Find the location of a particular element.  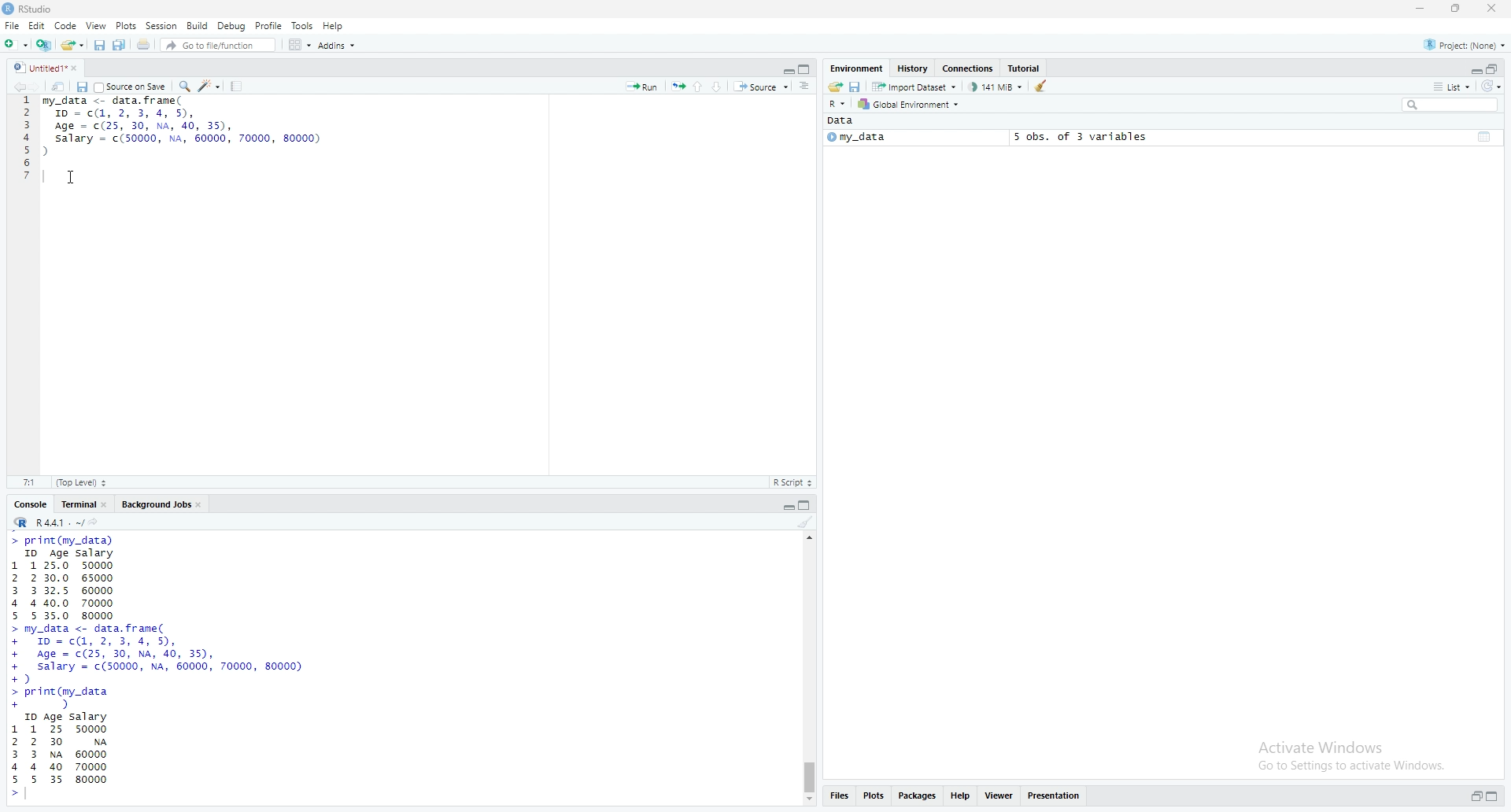

packages is located at coordinates (918, 795).